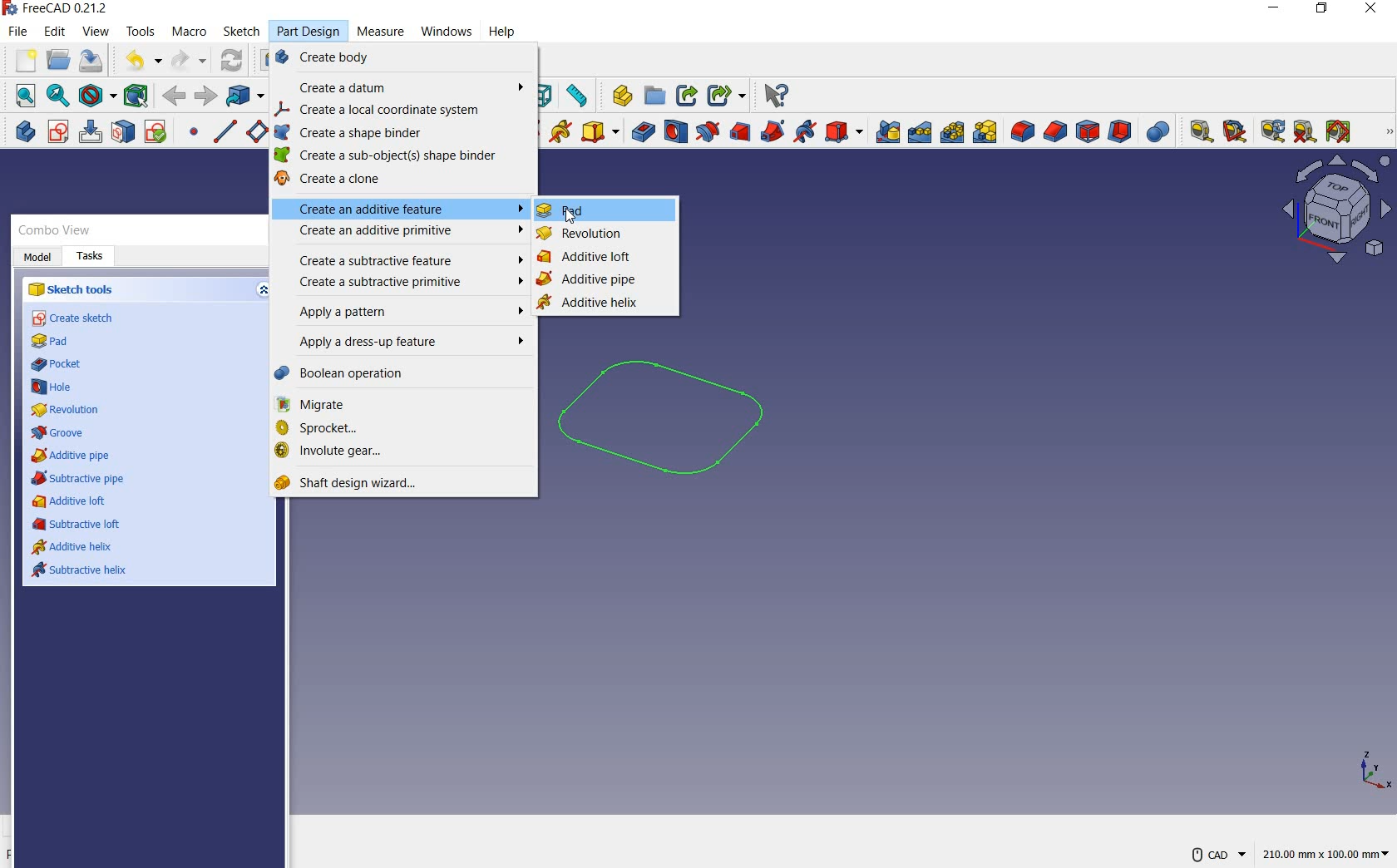 The height and width of the screenshot is (868, 1397). What do you see at coordinates (597, 303) in the screenshot?
I see `additive helix` at bounding box center [597, 303].